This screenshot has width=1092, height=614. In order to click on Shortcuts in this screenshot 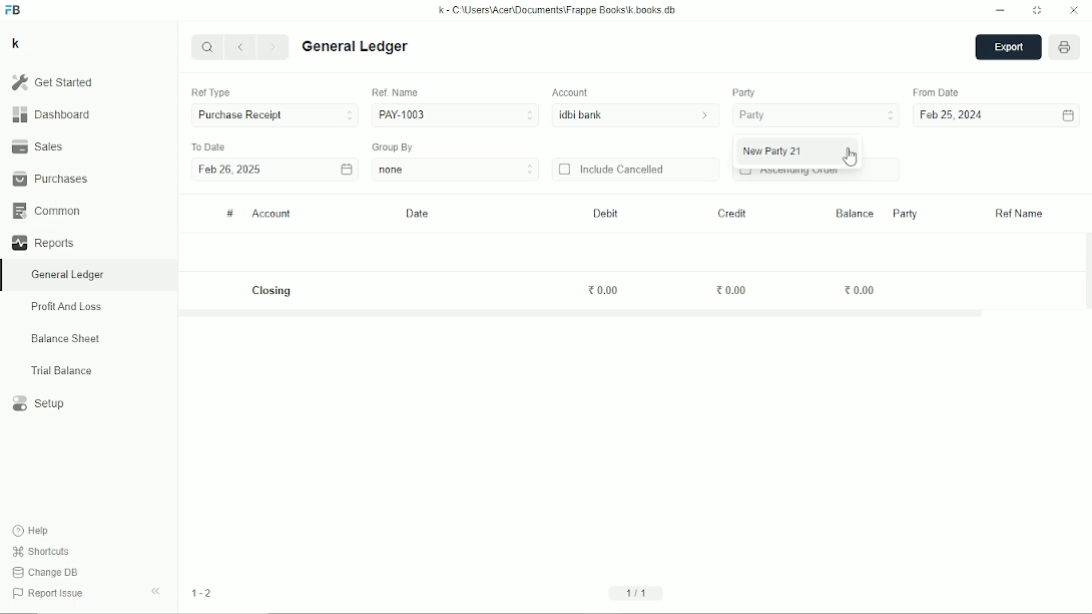, I will do `click(42, 552)`.